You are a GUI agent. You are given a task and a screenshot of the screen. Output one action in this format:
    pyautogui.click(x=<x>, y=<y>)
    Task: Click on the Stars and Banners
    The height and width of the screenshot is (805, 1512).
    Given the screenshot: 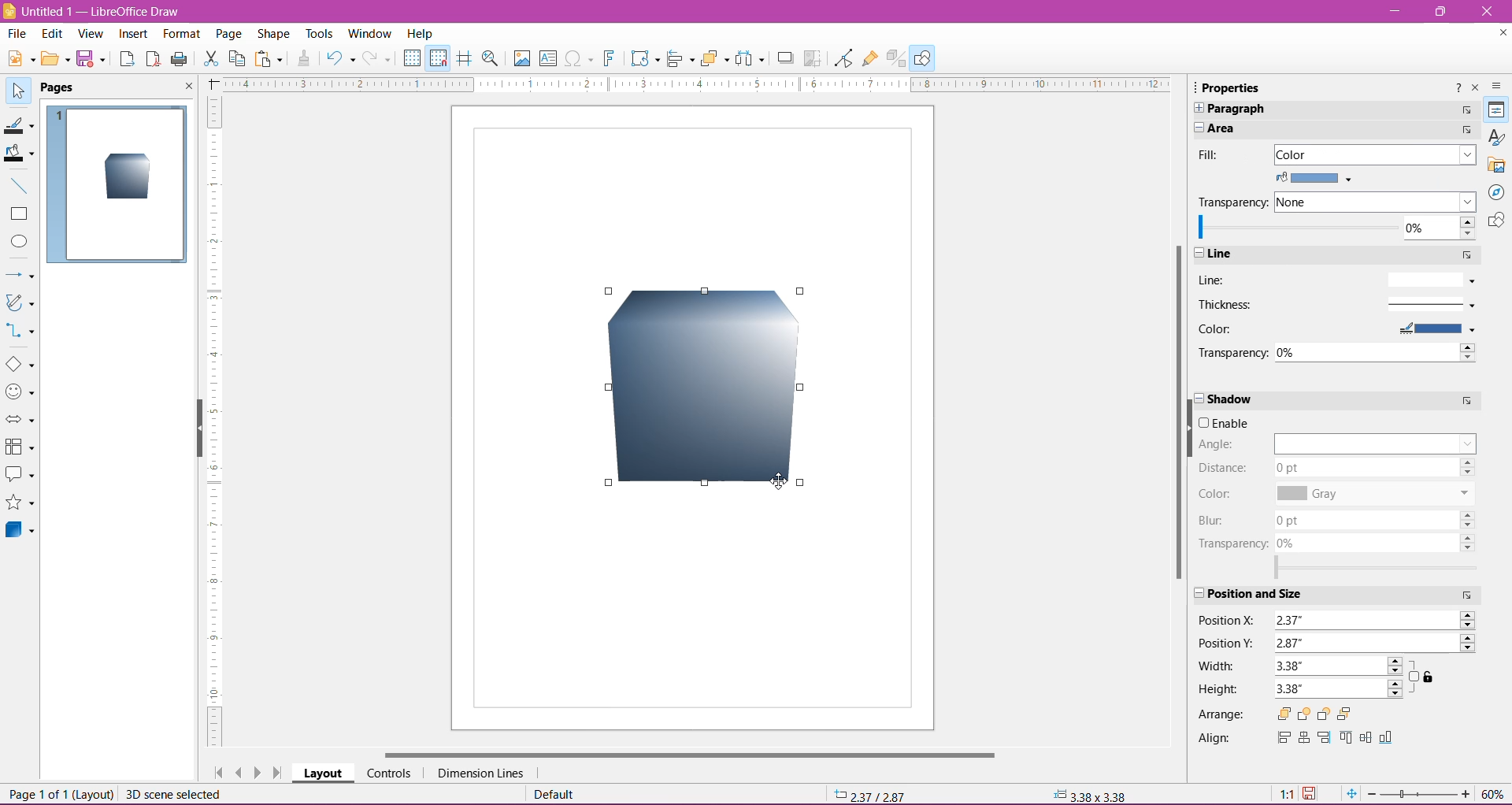 What is the action you would take?
    pyautogui.click(x=20, y=504)
    